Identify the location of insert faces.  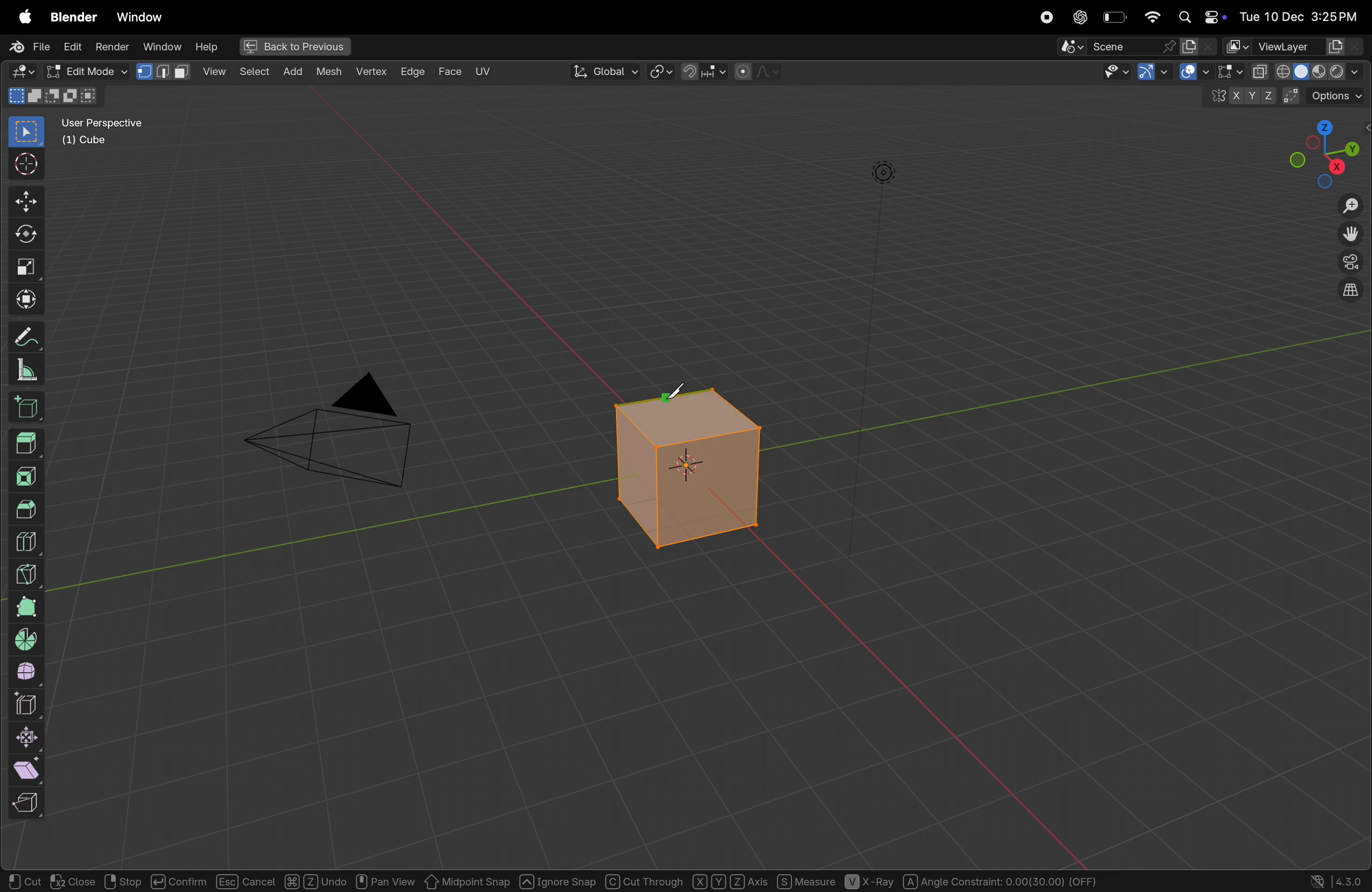
(29, 475).